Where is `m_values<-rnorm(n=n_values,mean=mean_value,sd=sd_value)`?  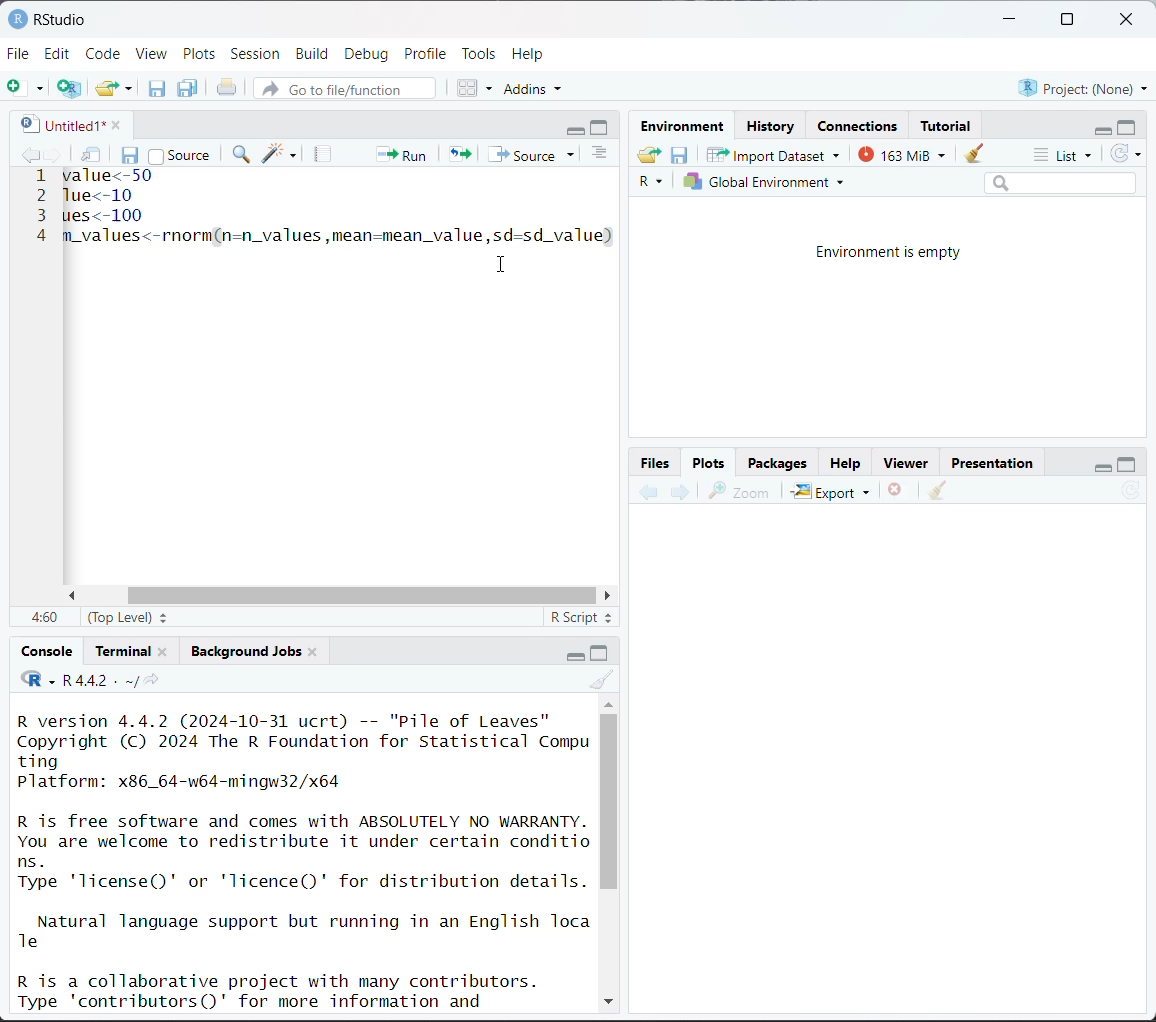 m_values<-rnorm(n=n_values,mean=mean_value,sd=sd_value) is located at coordinates (340, 234).